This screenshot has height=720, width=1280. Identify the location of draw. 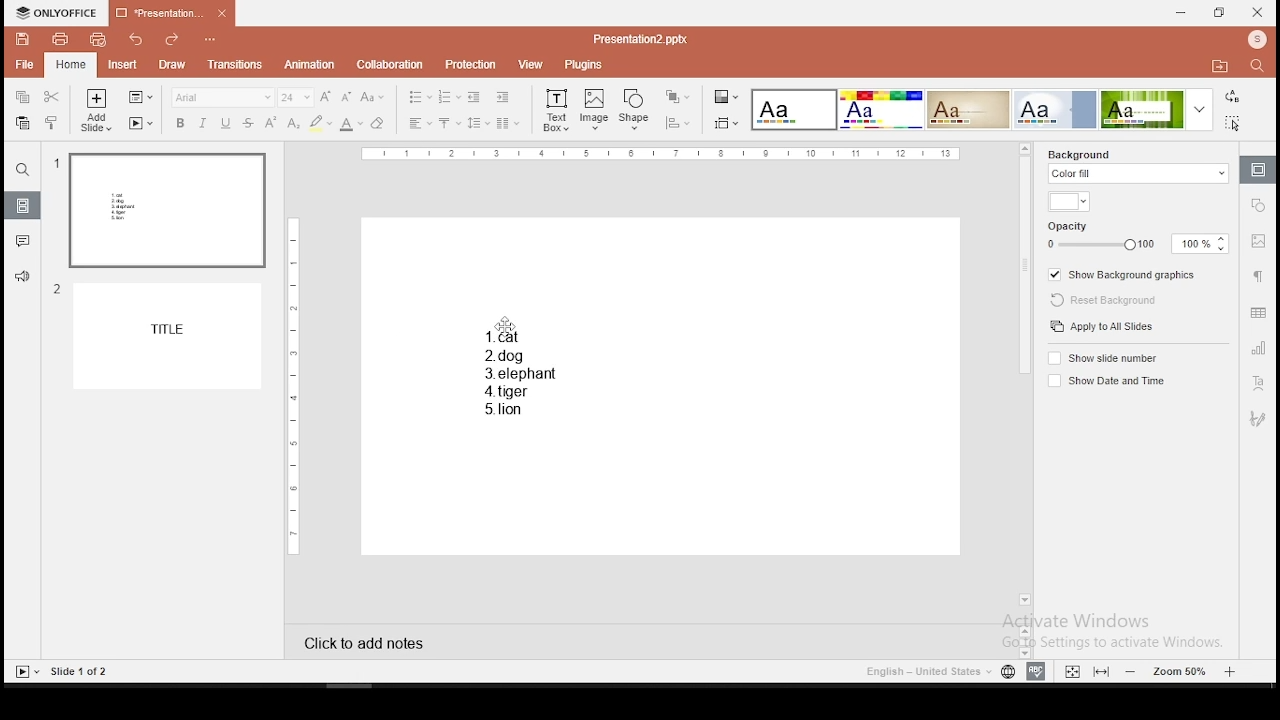
(172, 66).